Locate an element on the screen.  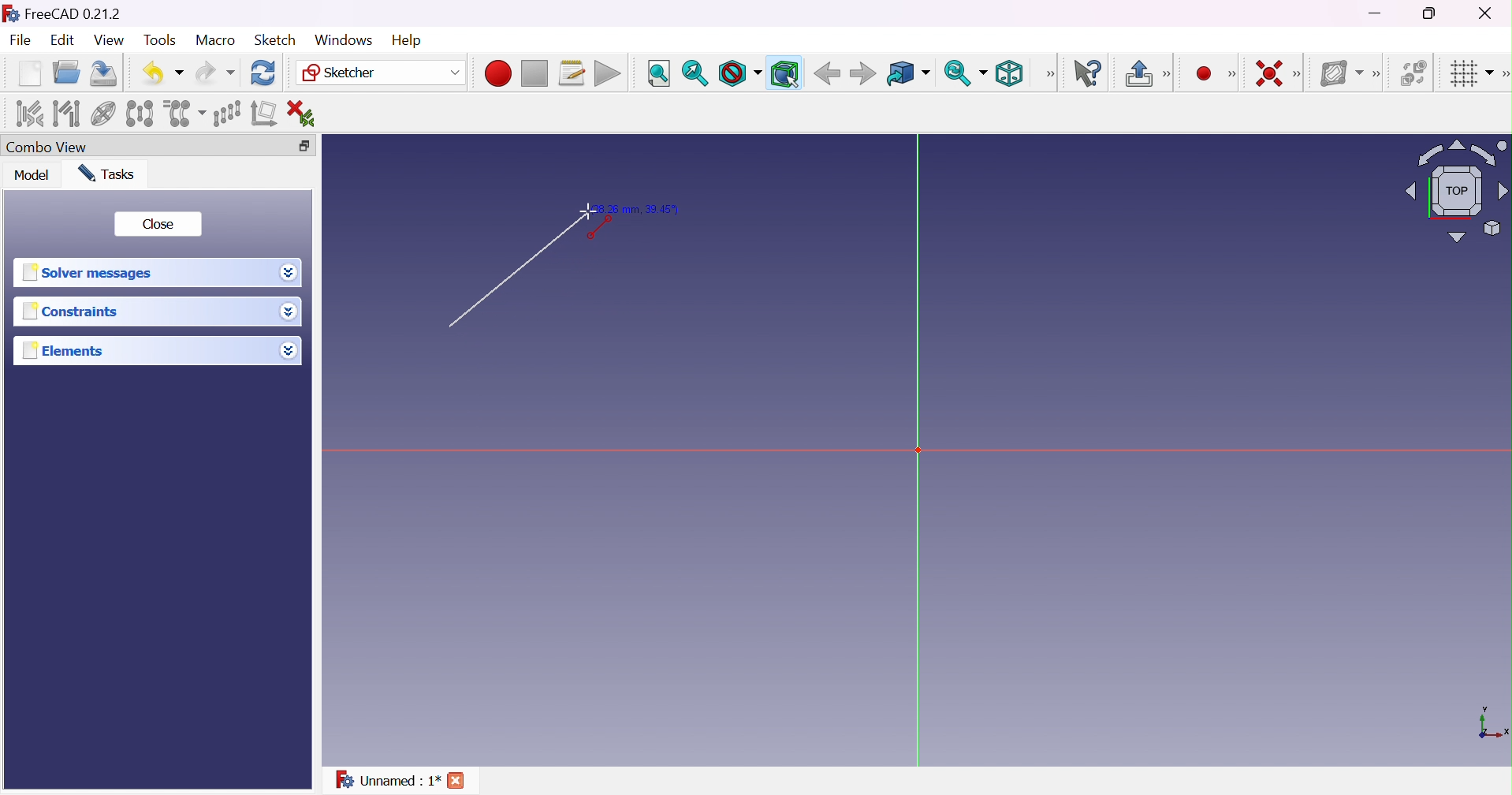
x, y plane is located at coordinates (1493, 724).